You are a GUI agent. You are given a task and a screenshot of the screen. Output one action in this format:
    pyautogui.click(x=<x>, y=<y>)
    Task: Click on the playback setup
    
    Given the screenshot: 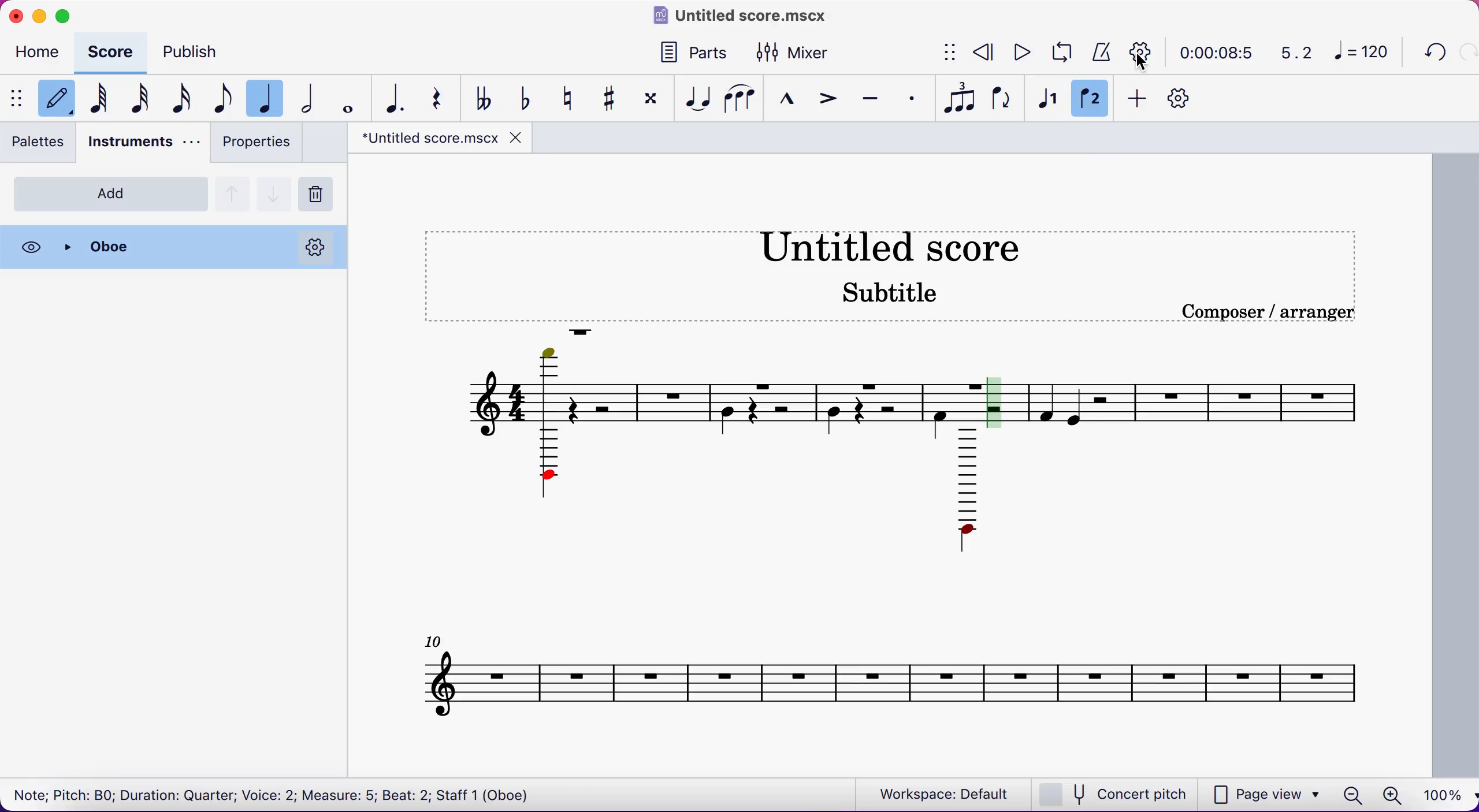 What is the action you would take?
    pyautogui.click(x=1142, y=51)
    